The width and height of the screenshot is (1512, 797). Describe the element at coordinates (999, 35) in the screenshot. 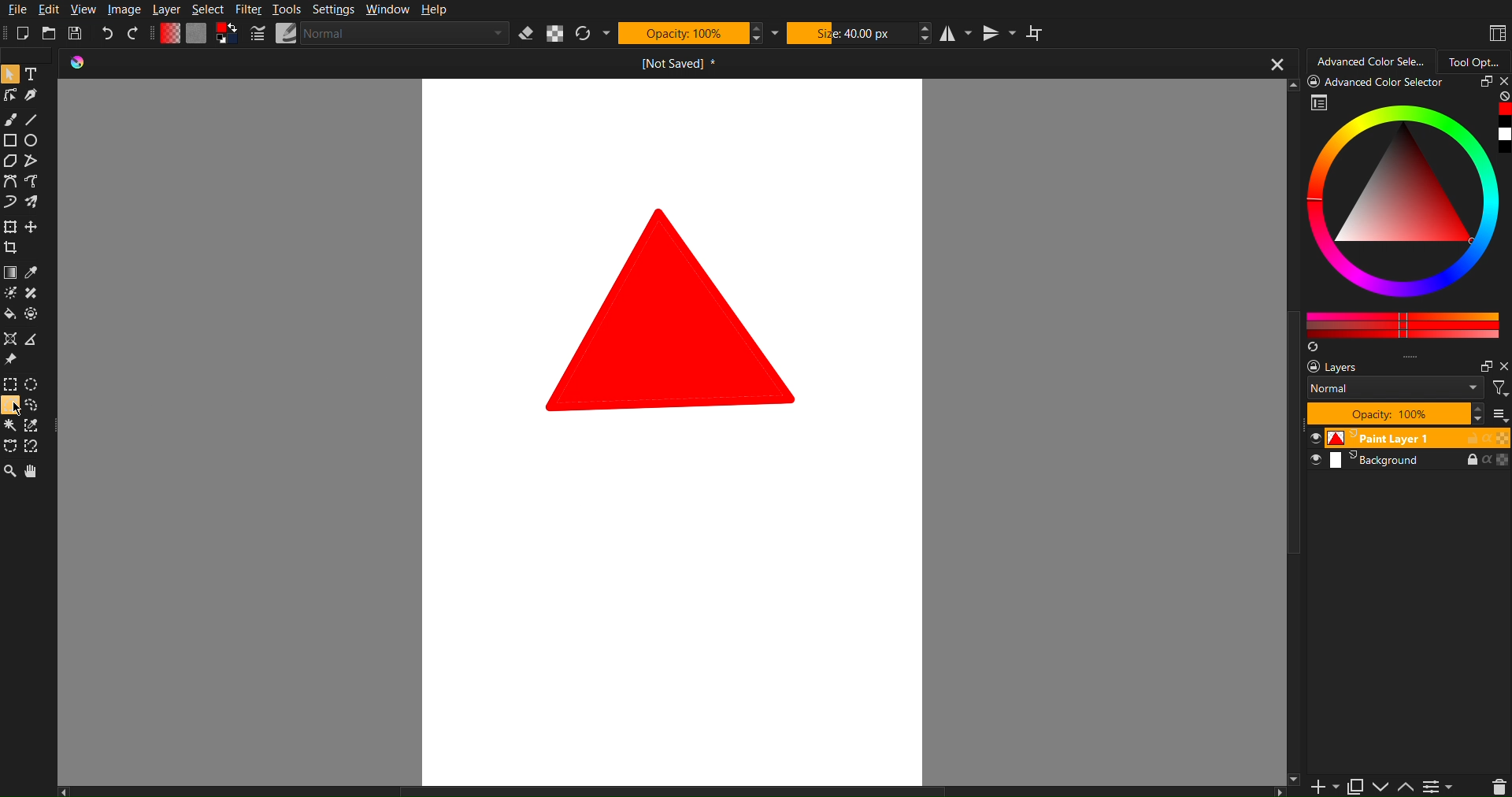

I see `Vertical Mirror` at that location.